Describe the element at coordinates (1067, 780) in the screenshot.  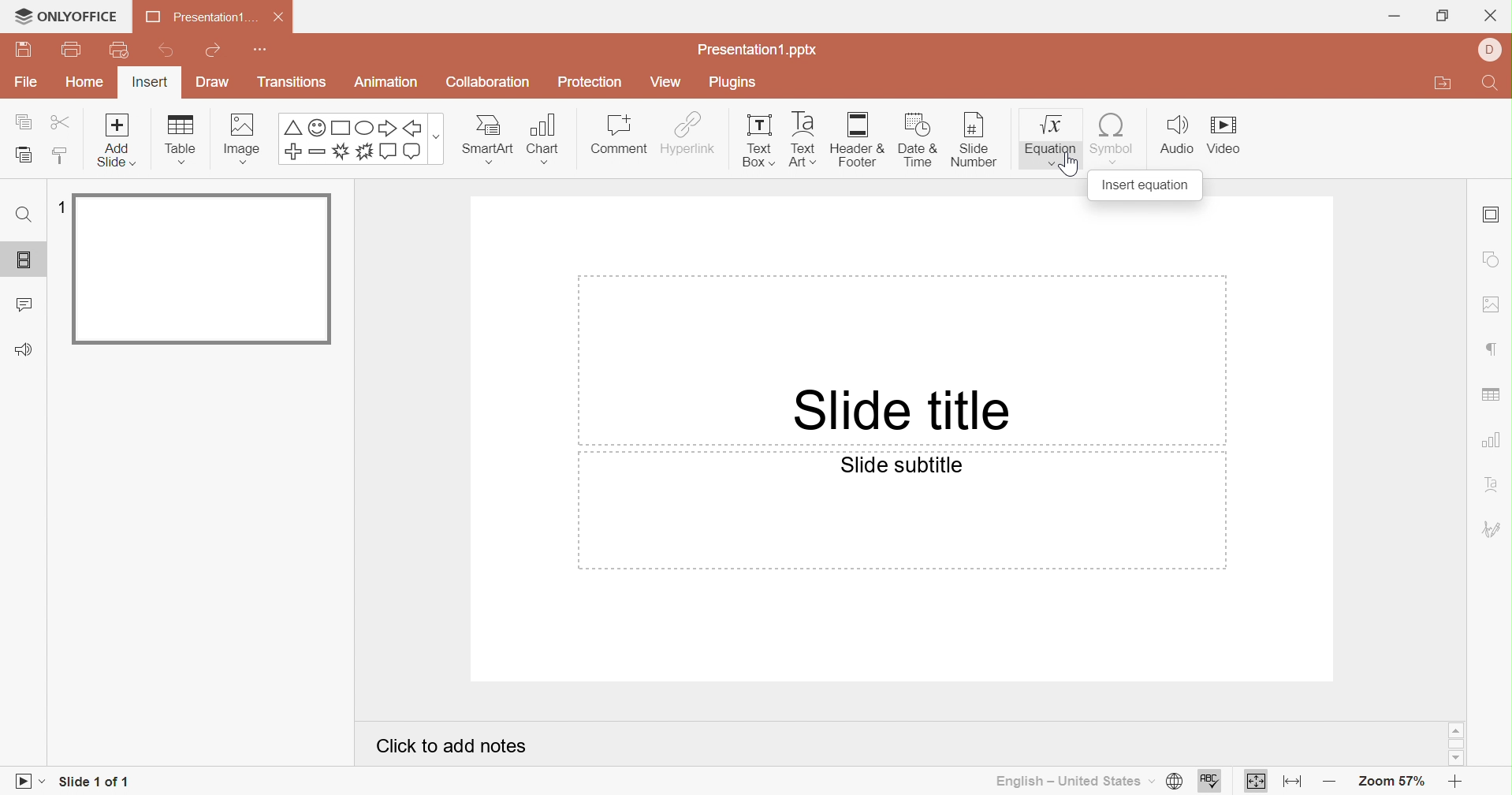
I see `English - United States` at that location.